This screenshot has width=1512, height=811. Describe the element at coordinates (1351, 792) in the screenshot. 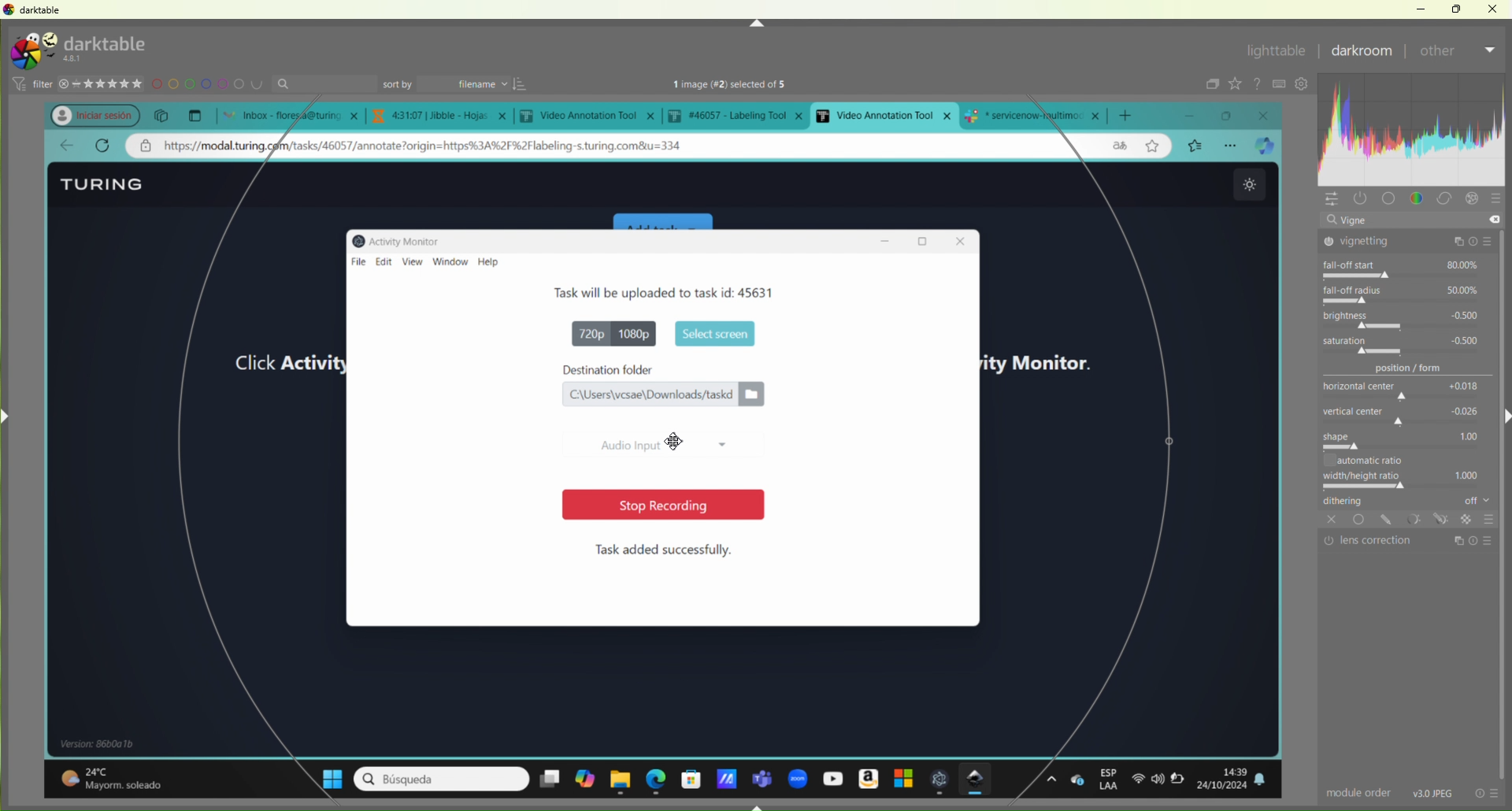

I see `module order` at that location.